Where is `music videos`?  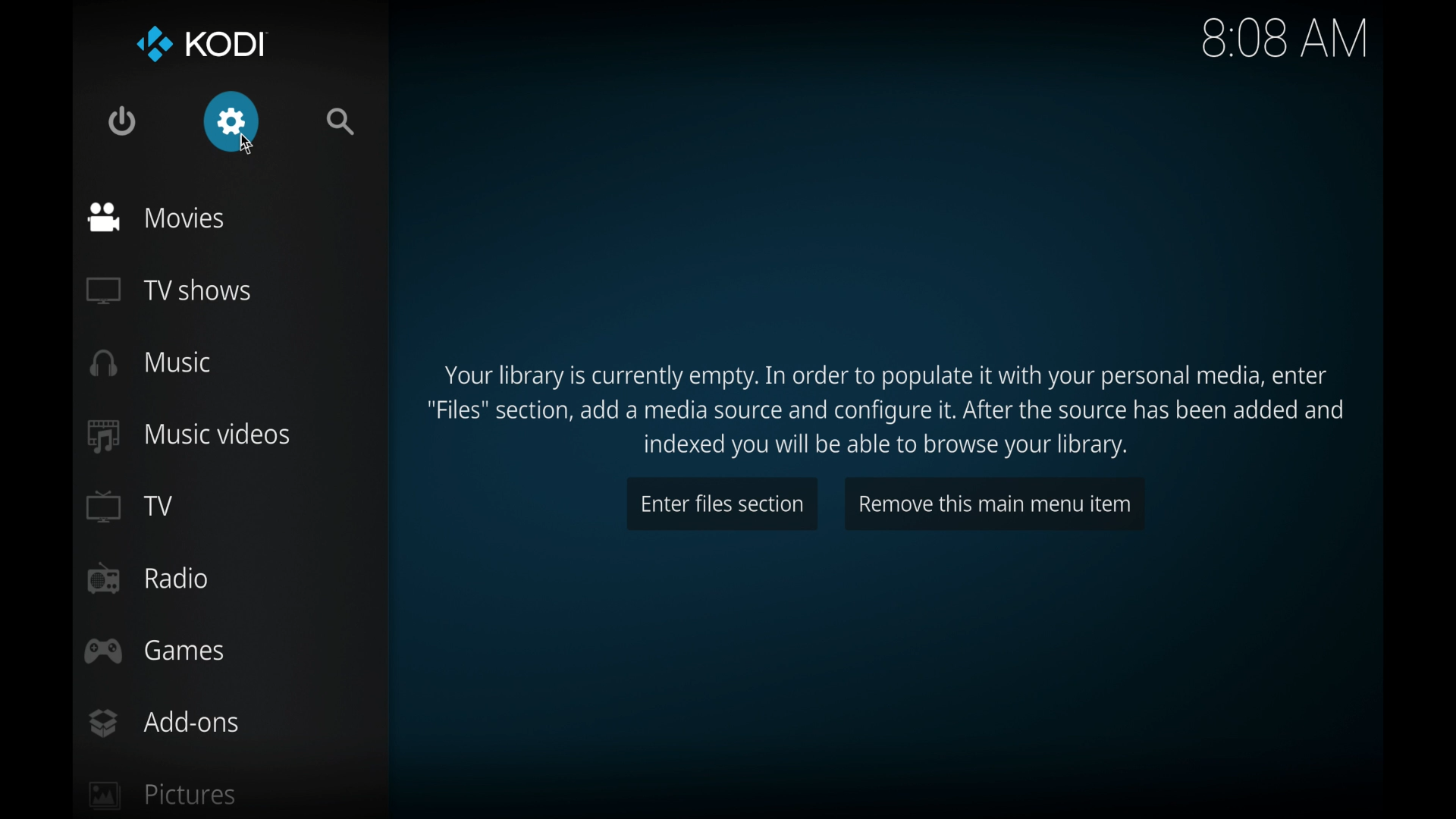
music videos is located at coordinates (188, 435).